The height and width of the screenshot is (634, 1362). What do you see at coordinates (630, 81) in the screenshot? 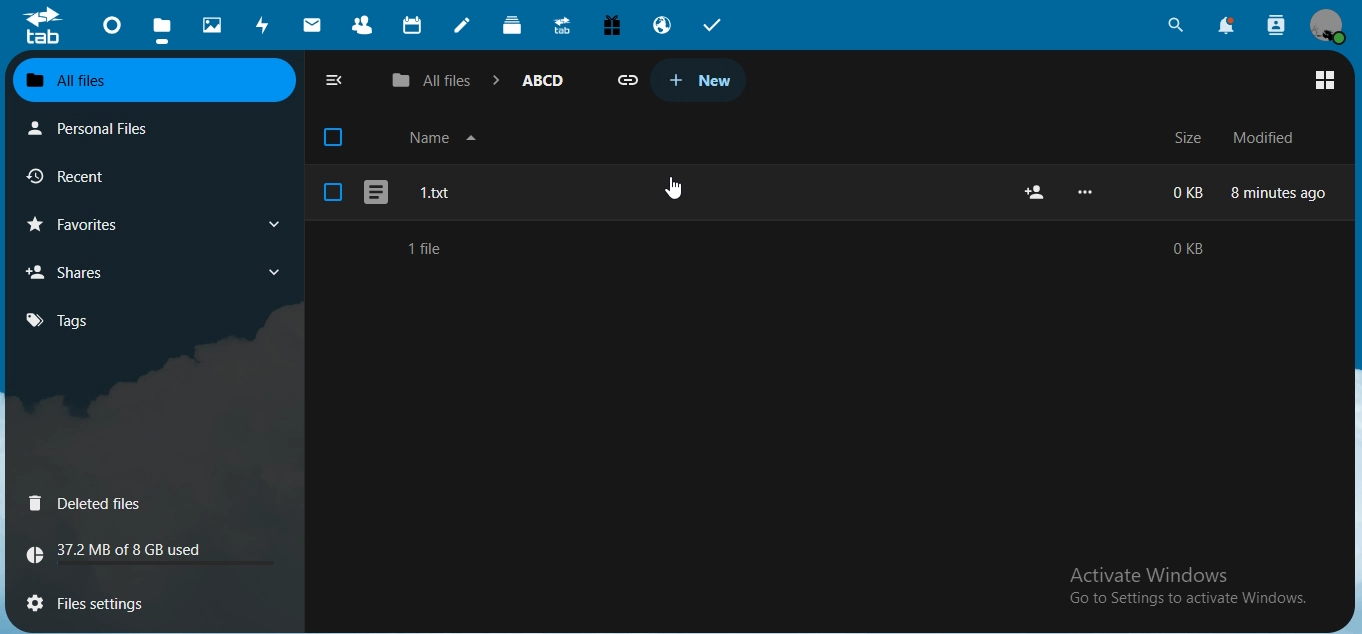
I see `attach` at bounding box center [630, 81].